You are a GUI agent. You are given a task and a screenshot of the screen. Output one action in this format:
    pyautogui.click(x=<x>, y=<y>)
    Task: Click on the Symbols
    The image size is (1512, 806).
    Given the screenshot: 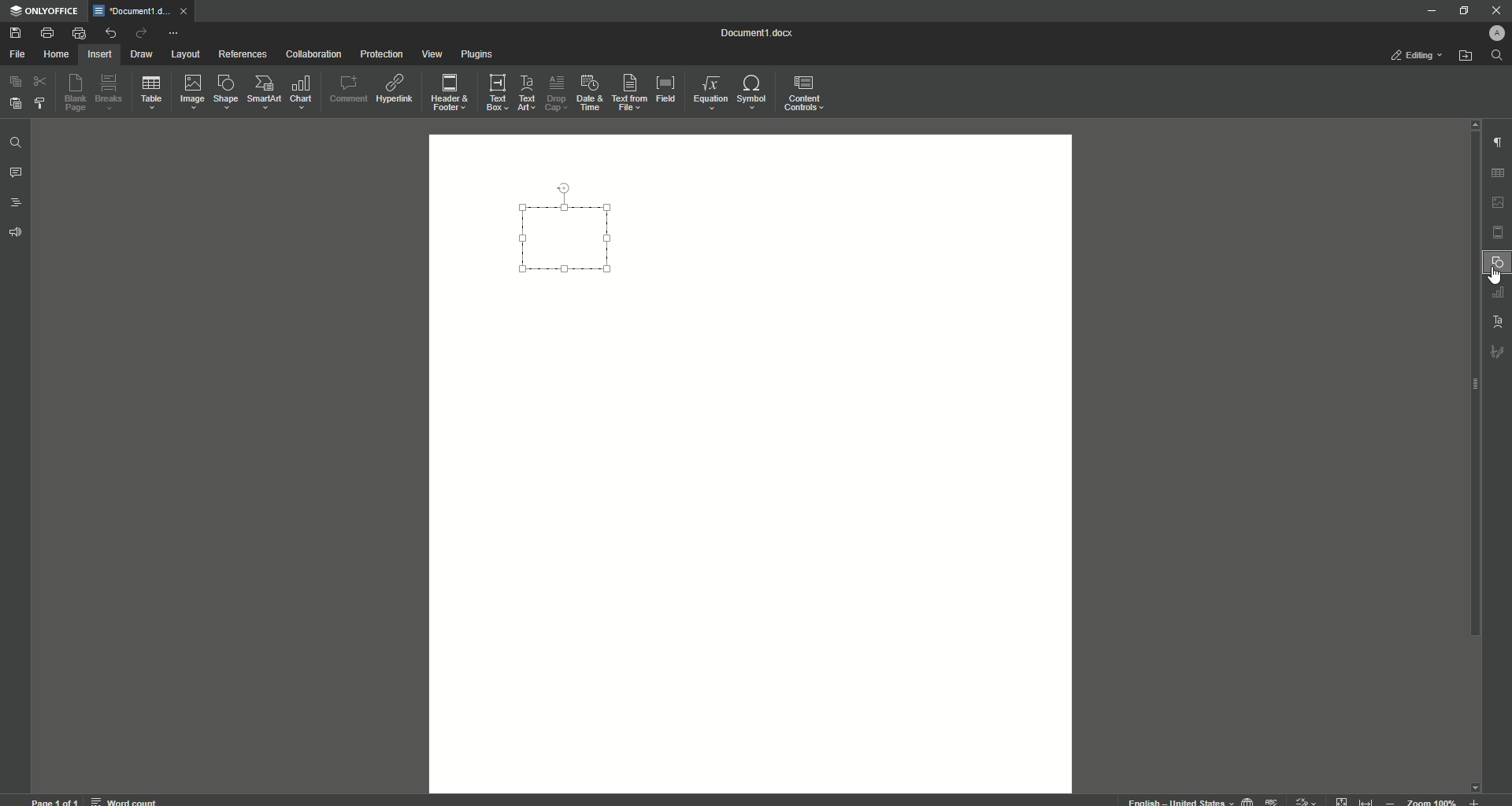 What is the action you would take?
    pyautogui.click(x=750, y=92)
    